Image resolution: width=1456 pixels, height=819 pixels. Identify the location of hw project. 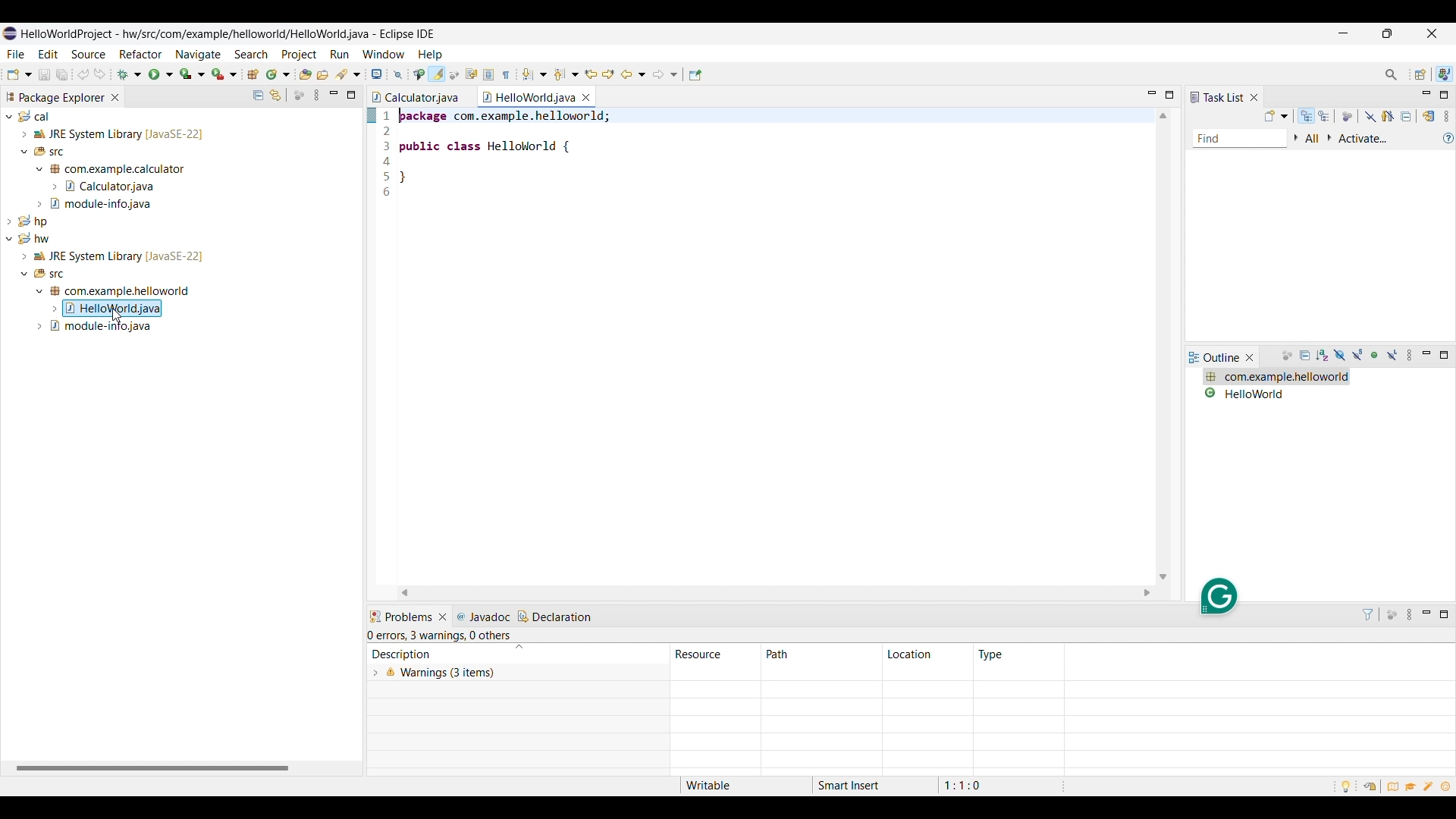
(177, 283).